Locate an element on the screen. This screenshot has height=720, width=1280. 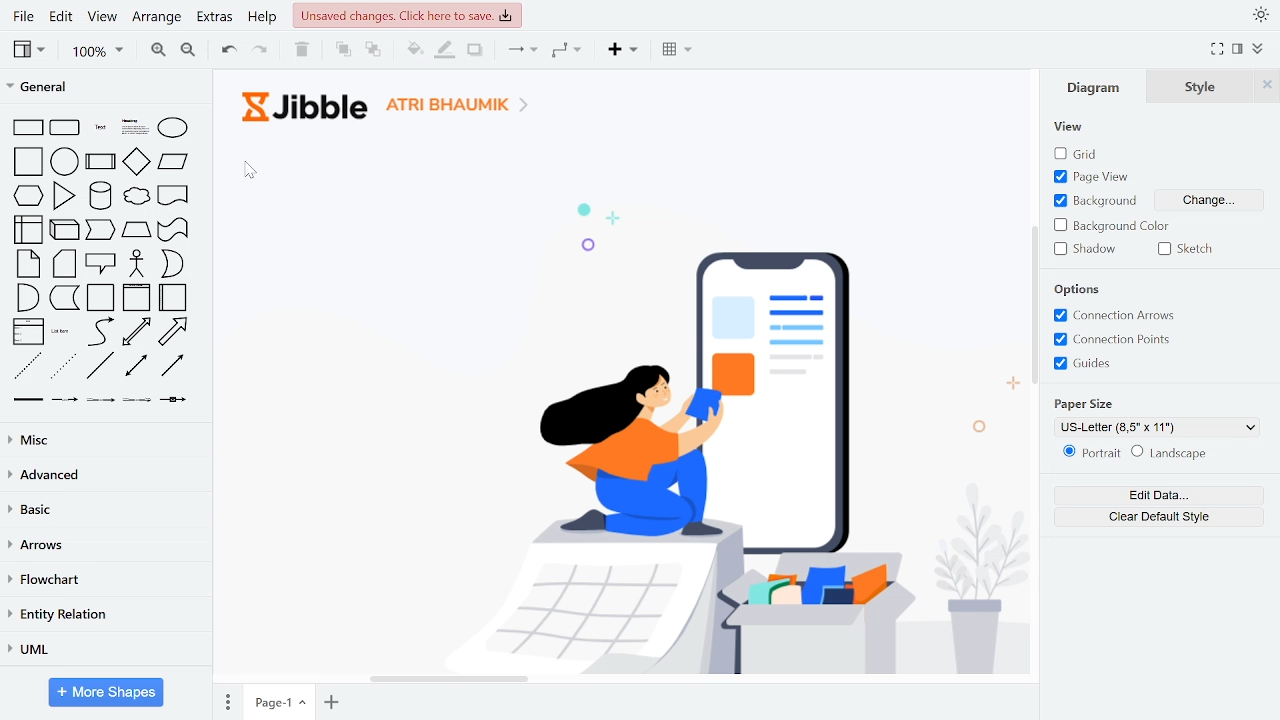
help is located at coordinates (263, 20).